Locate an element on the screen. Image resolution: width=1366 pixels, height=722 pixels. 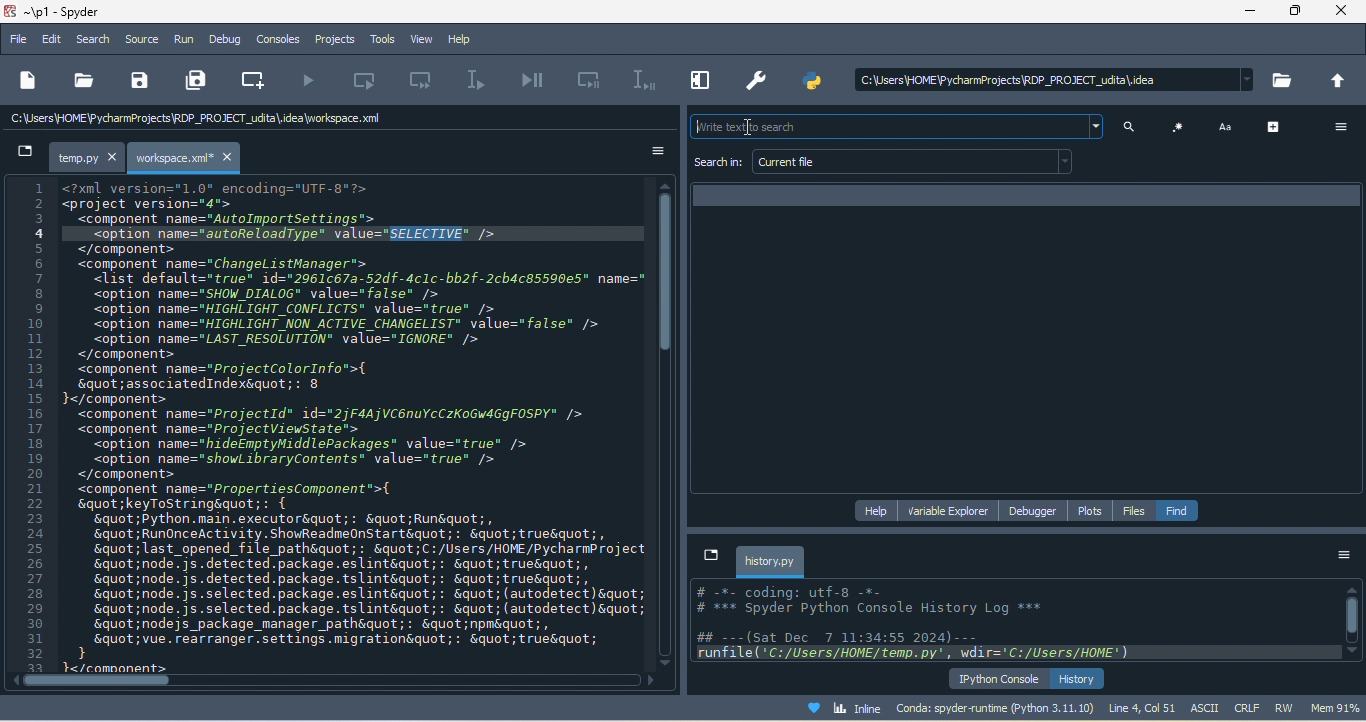
cursor is located at coordinates (753, 131).